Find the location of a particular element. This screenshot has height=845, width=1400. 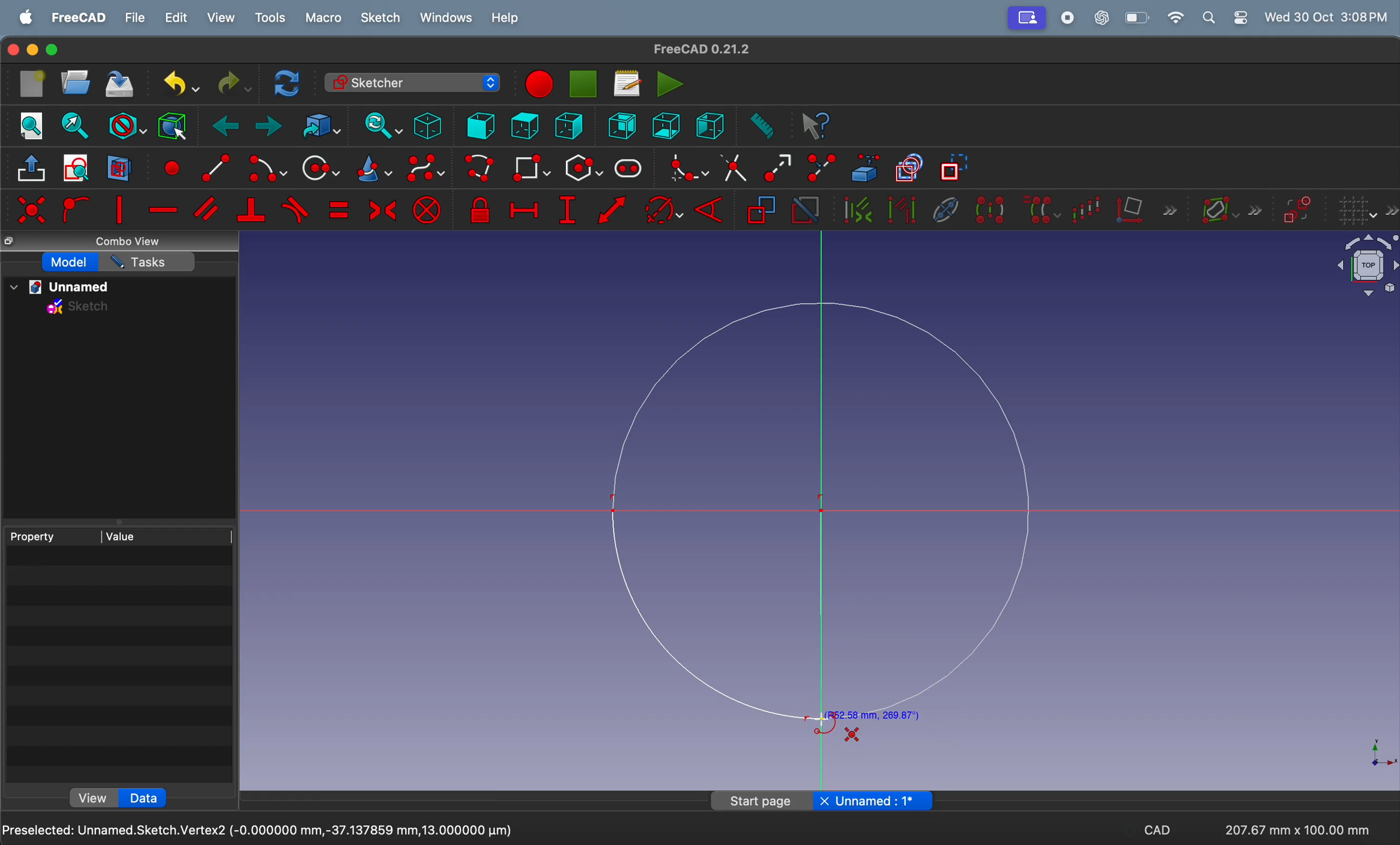

stop marco is located at coordinates (537, 84).